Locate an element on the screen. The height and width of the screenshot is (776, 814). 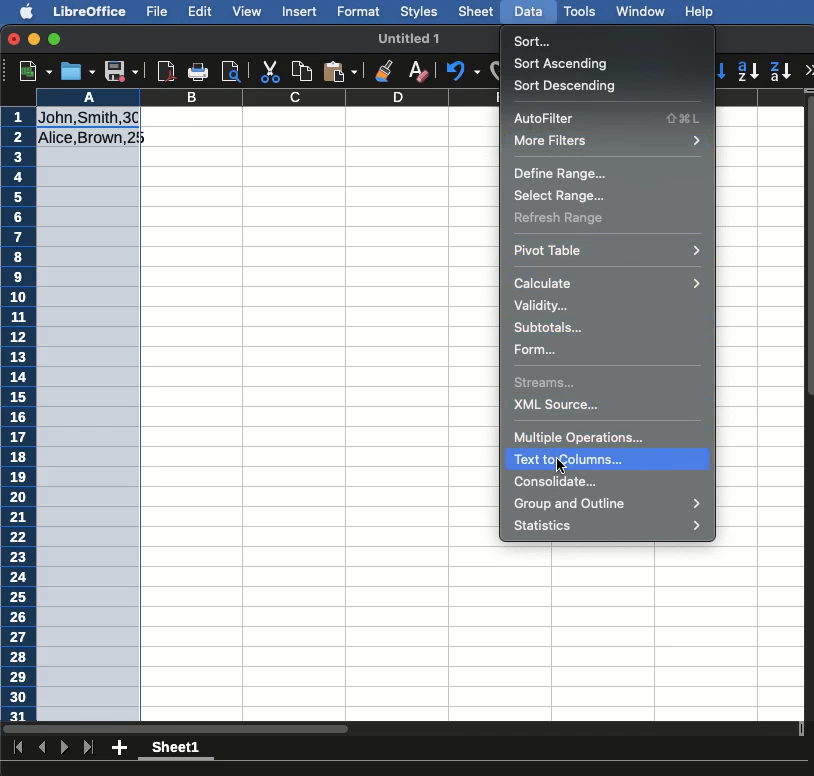
Text to columns is located at coordinates (609, 459).